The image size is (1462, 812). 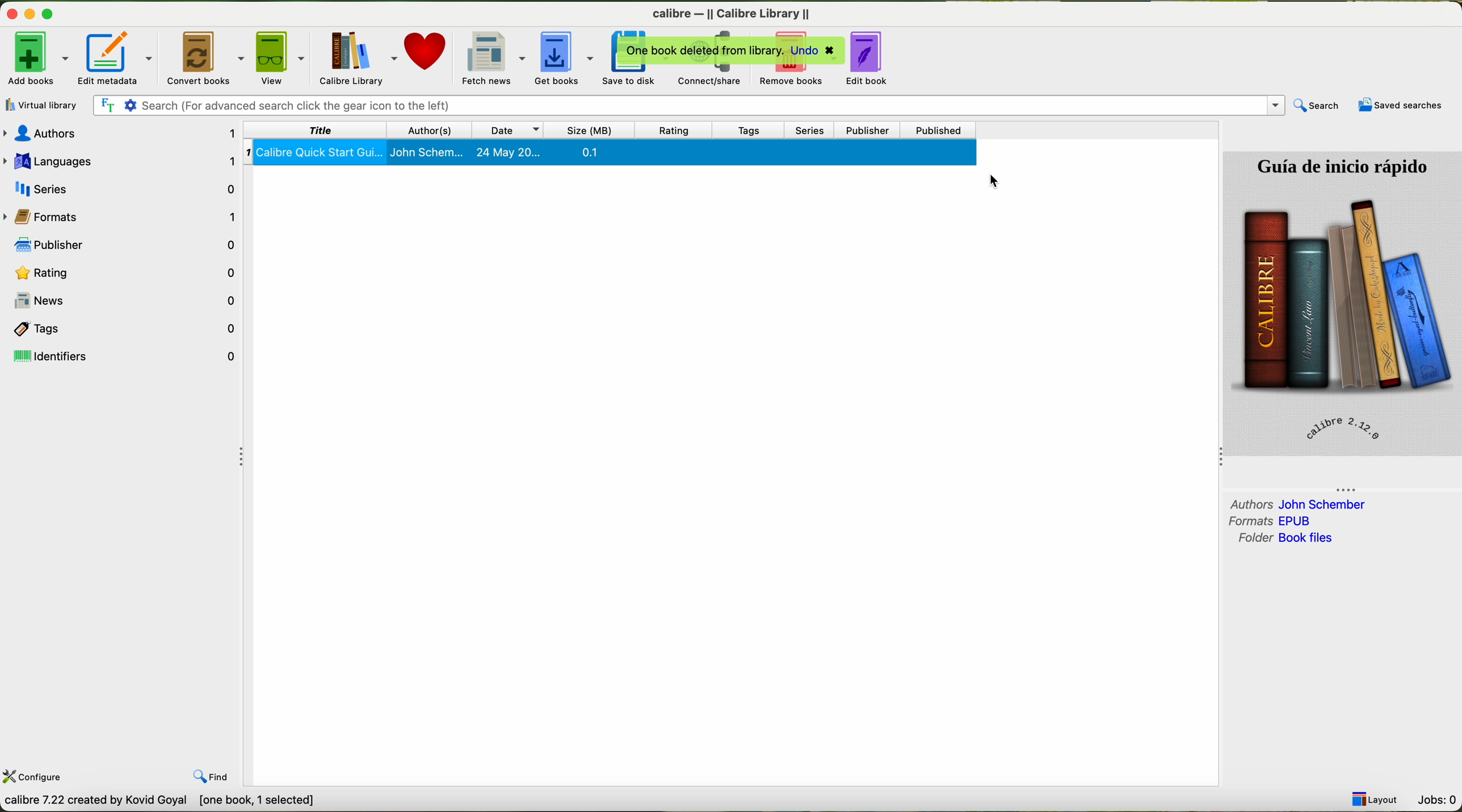 What do you see at coordinates (510, 129) in the screenshot?
I see `date` at bounding box center [510, 129].